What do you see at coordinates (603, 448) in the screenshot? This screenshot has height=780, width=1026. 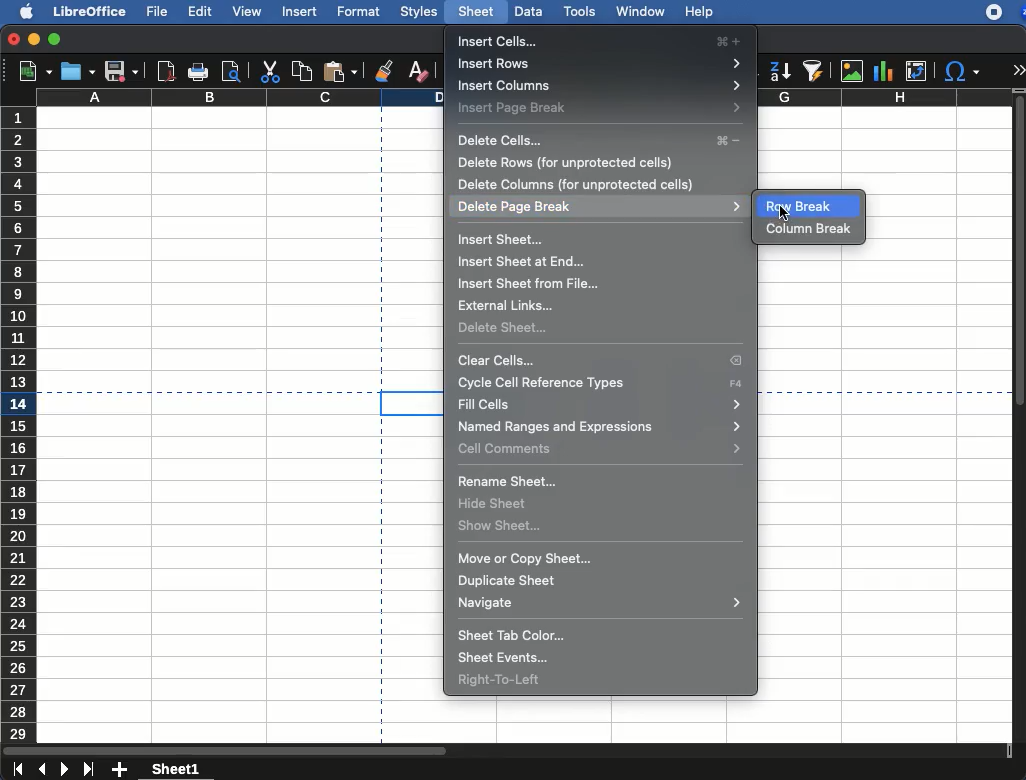 I see `cell comments` at bounding box center [603, 448].